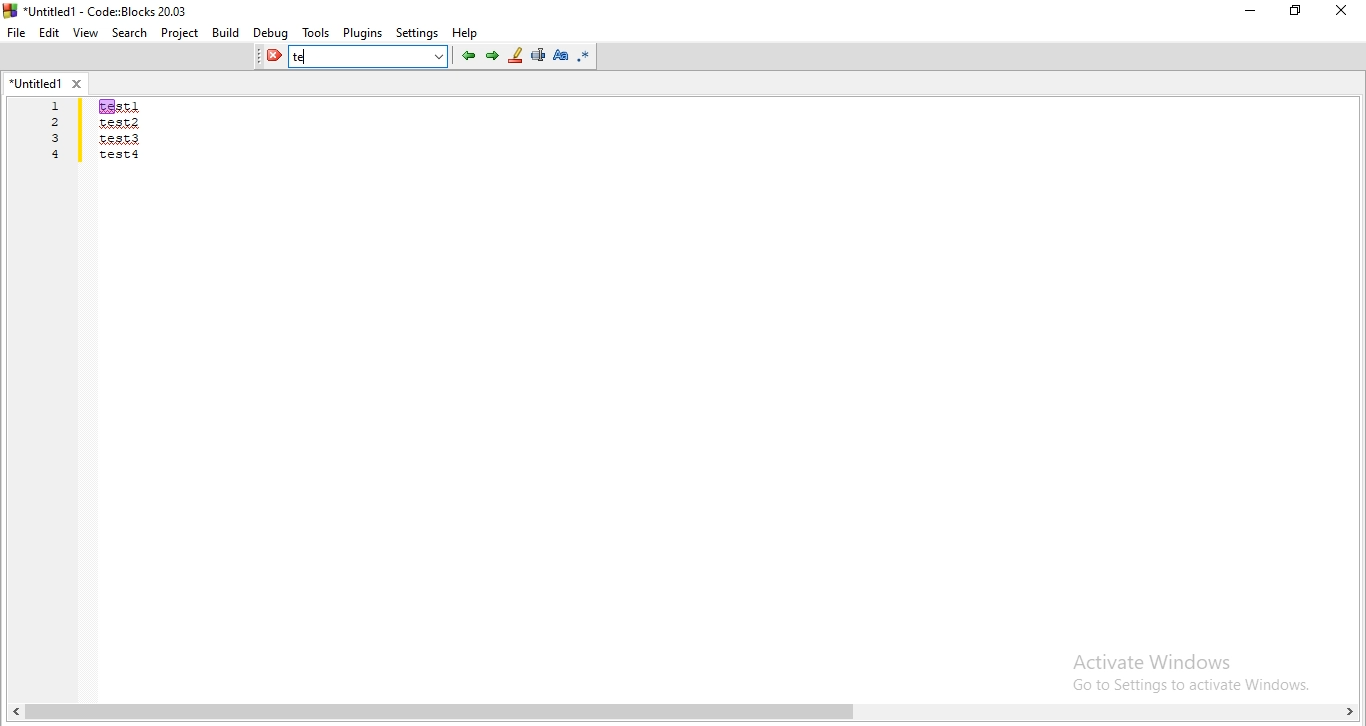 The image size is (1366, 726). Describe the element at coordinates (466, 56) in the screenshot. I see `prev` at that location.